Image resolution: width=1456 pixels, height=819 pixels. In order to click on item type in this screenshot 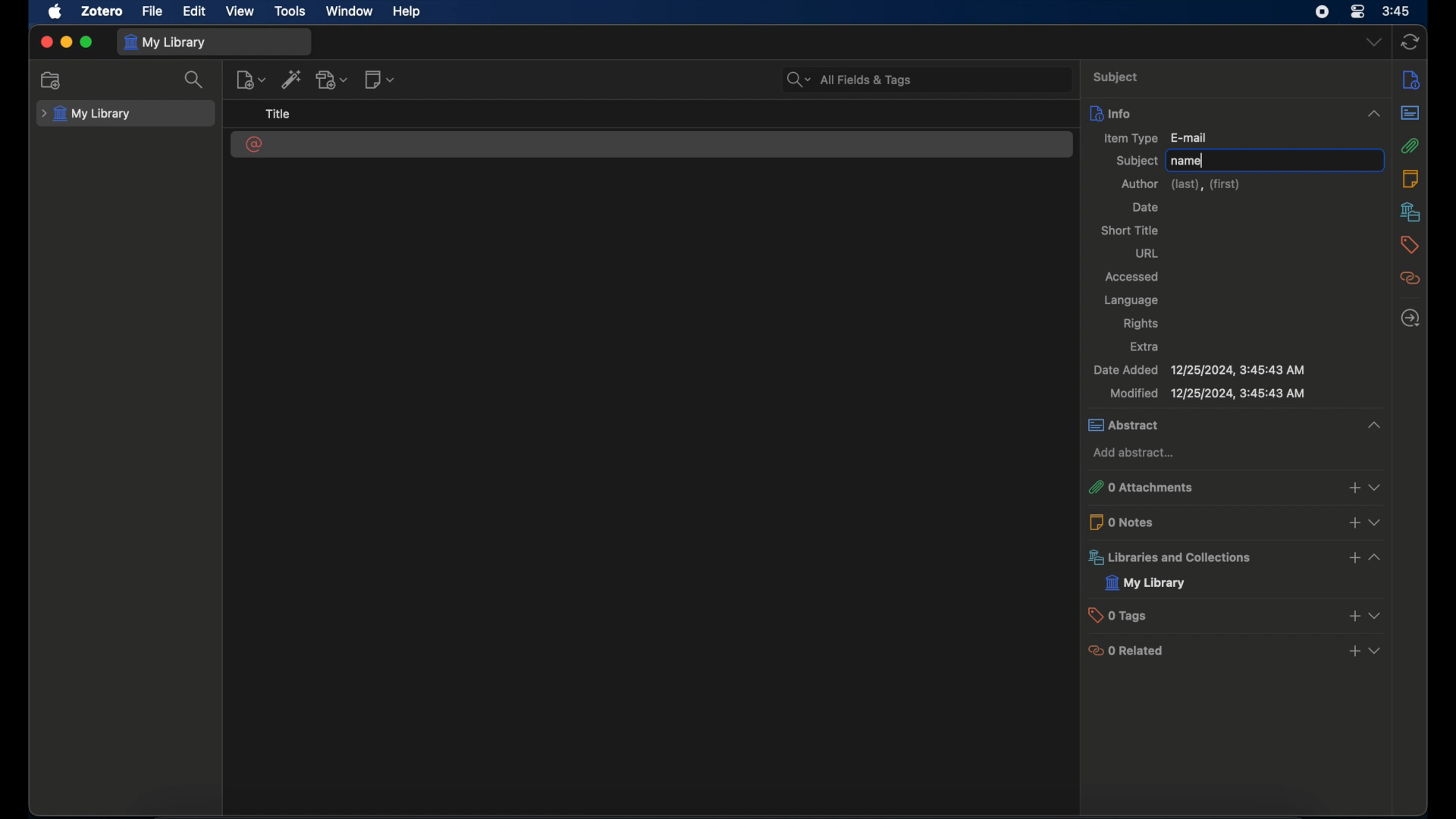, I will do `click(1155, 137)`.